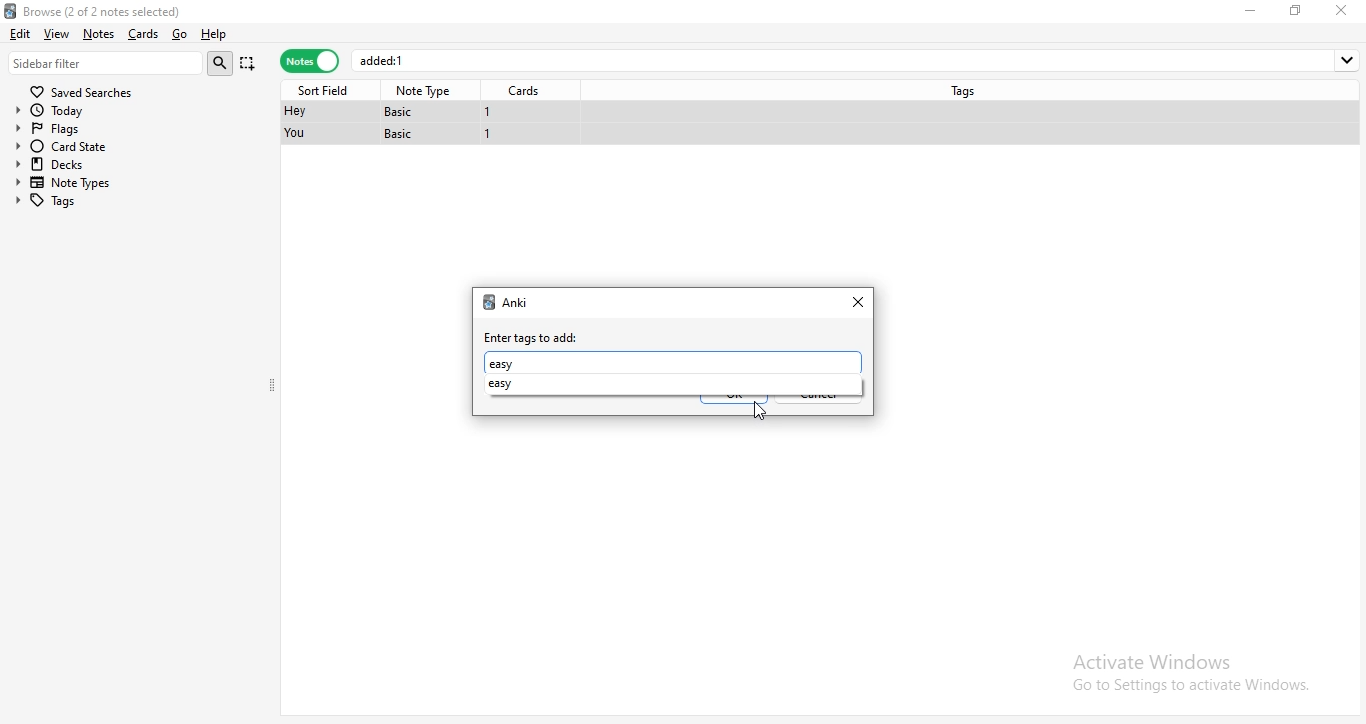 The width and height of the screenshot is (1366, 724). Describe the element at coordinates (758, 412) in the screenshot. I see `cursor` at that location.